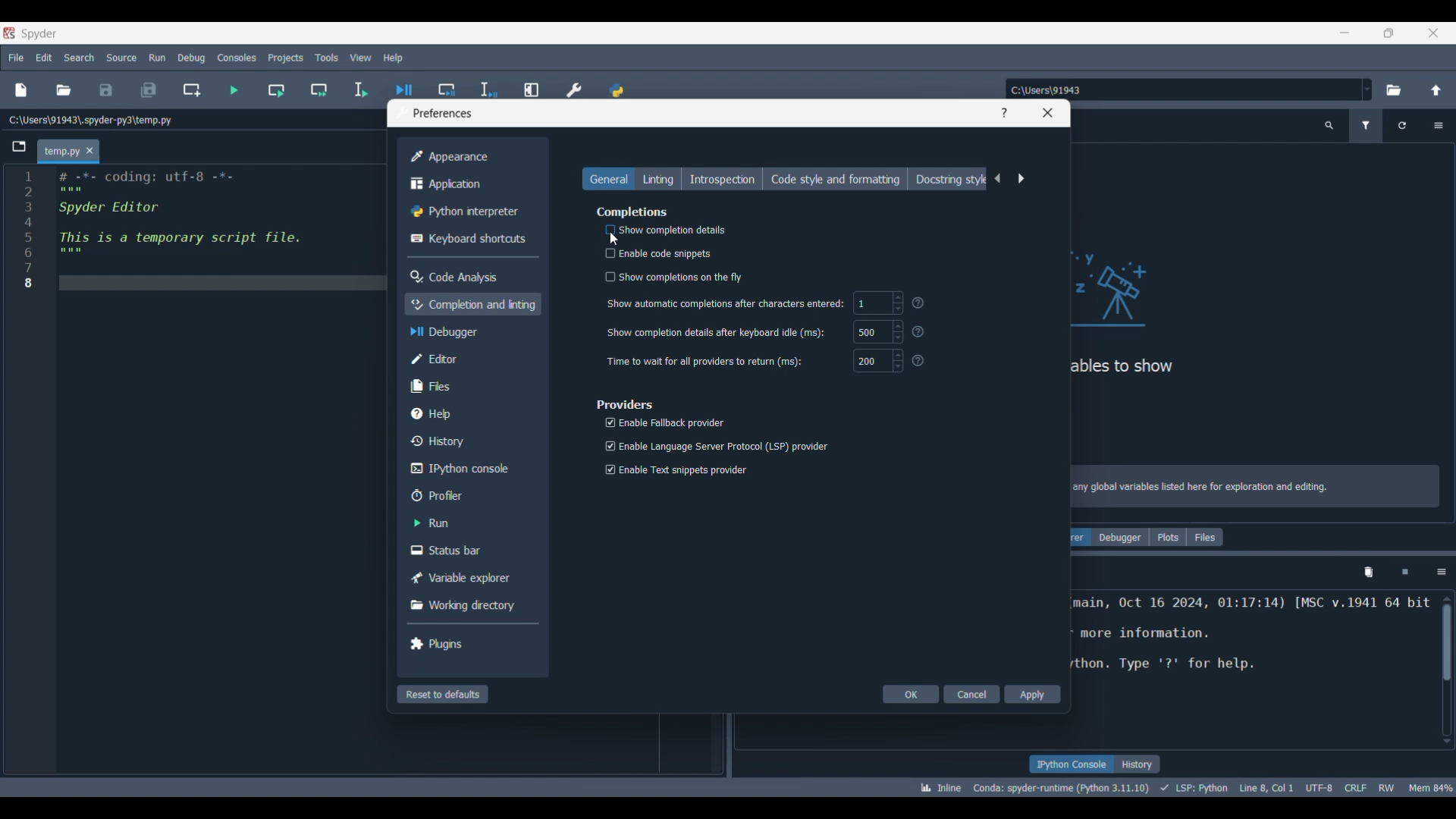  I want to click on 500, so click(877, 331).